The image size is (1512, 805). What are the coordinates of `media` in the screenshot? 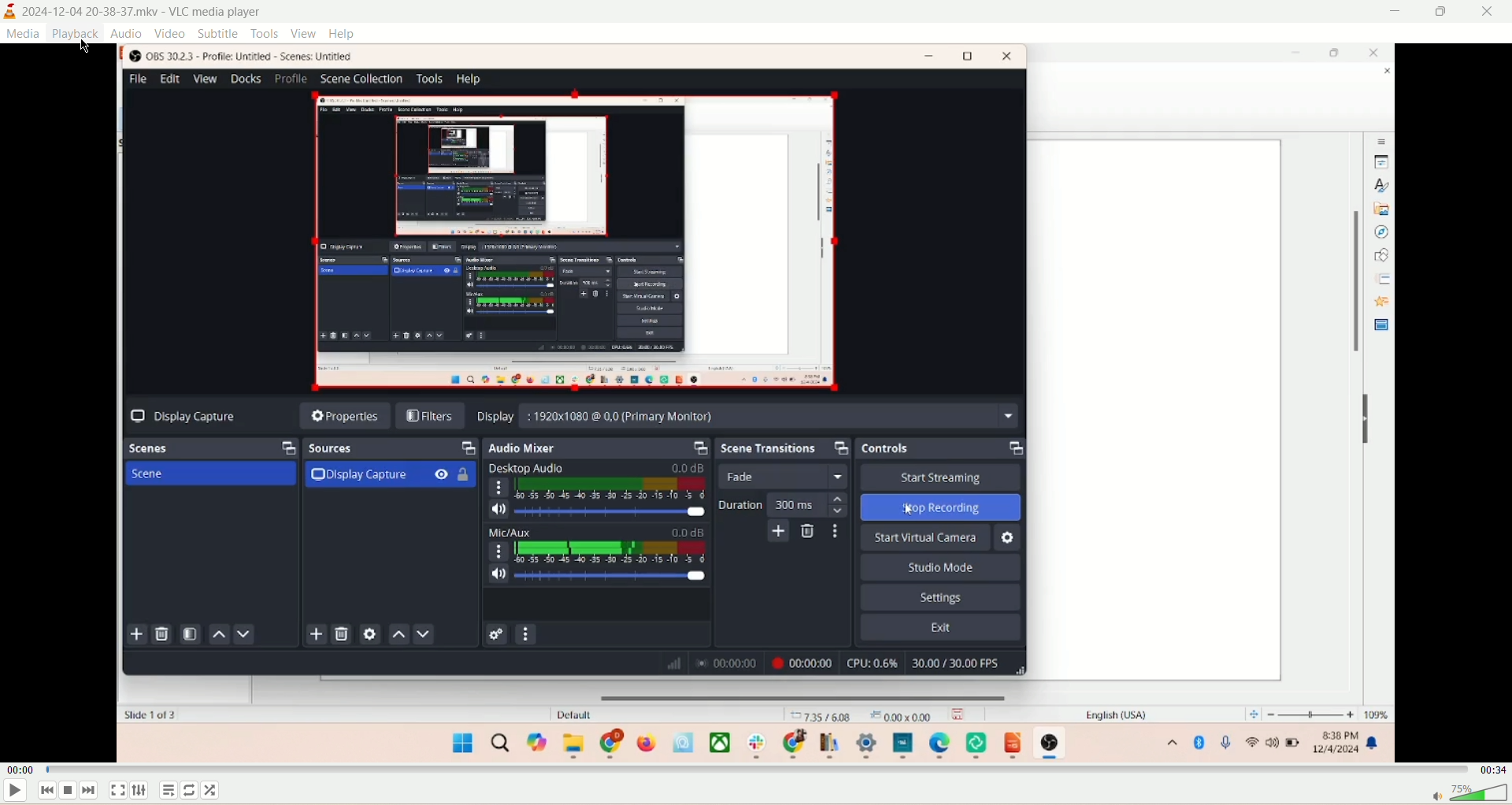 It's located at (26, 35).